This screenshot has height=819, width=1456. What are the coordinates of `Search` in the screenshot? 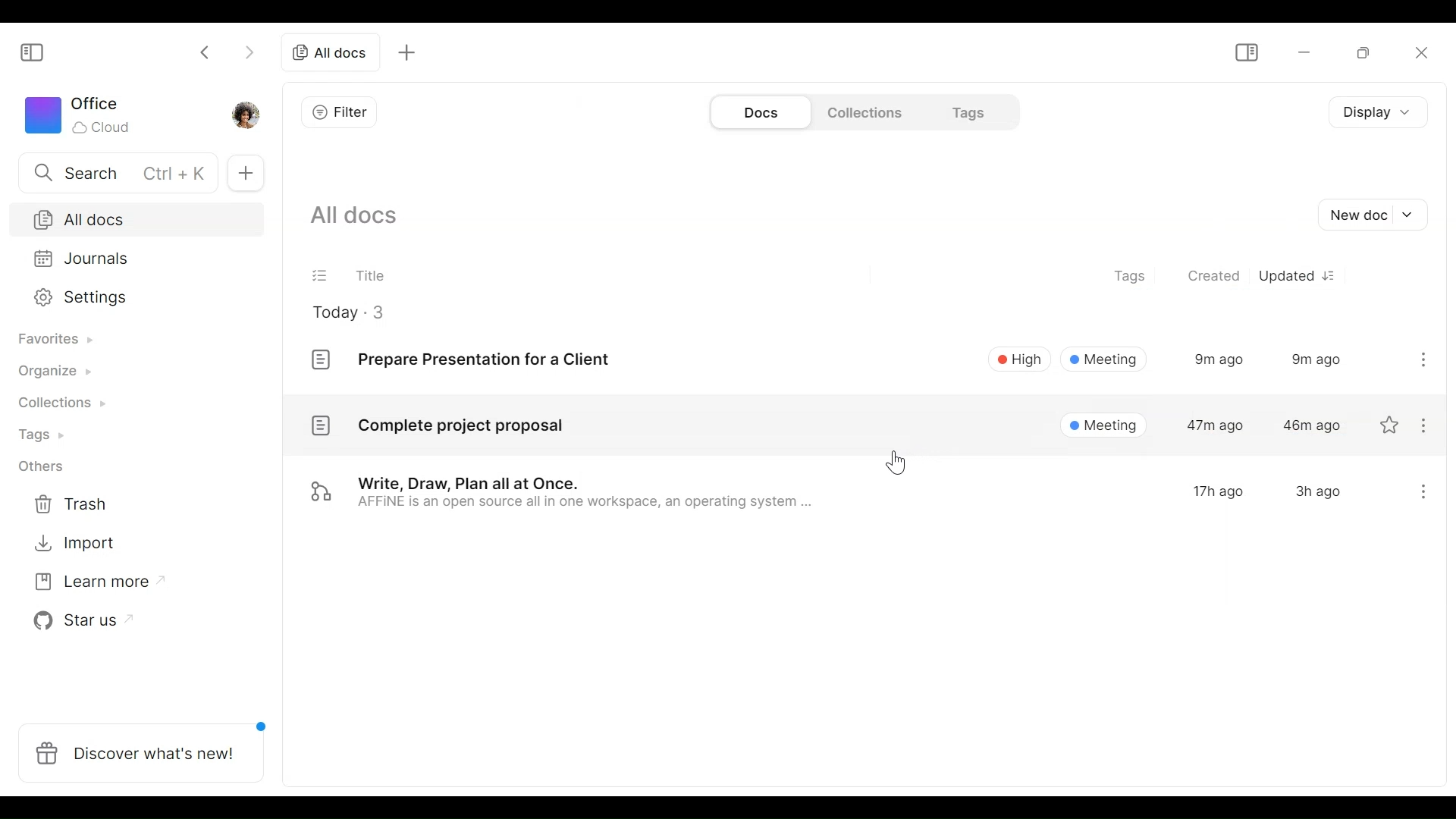 It's located at (112, 172).